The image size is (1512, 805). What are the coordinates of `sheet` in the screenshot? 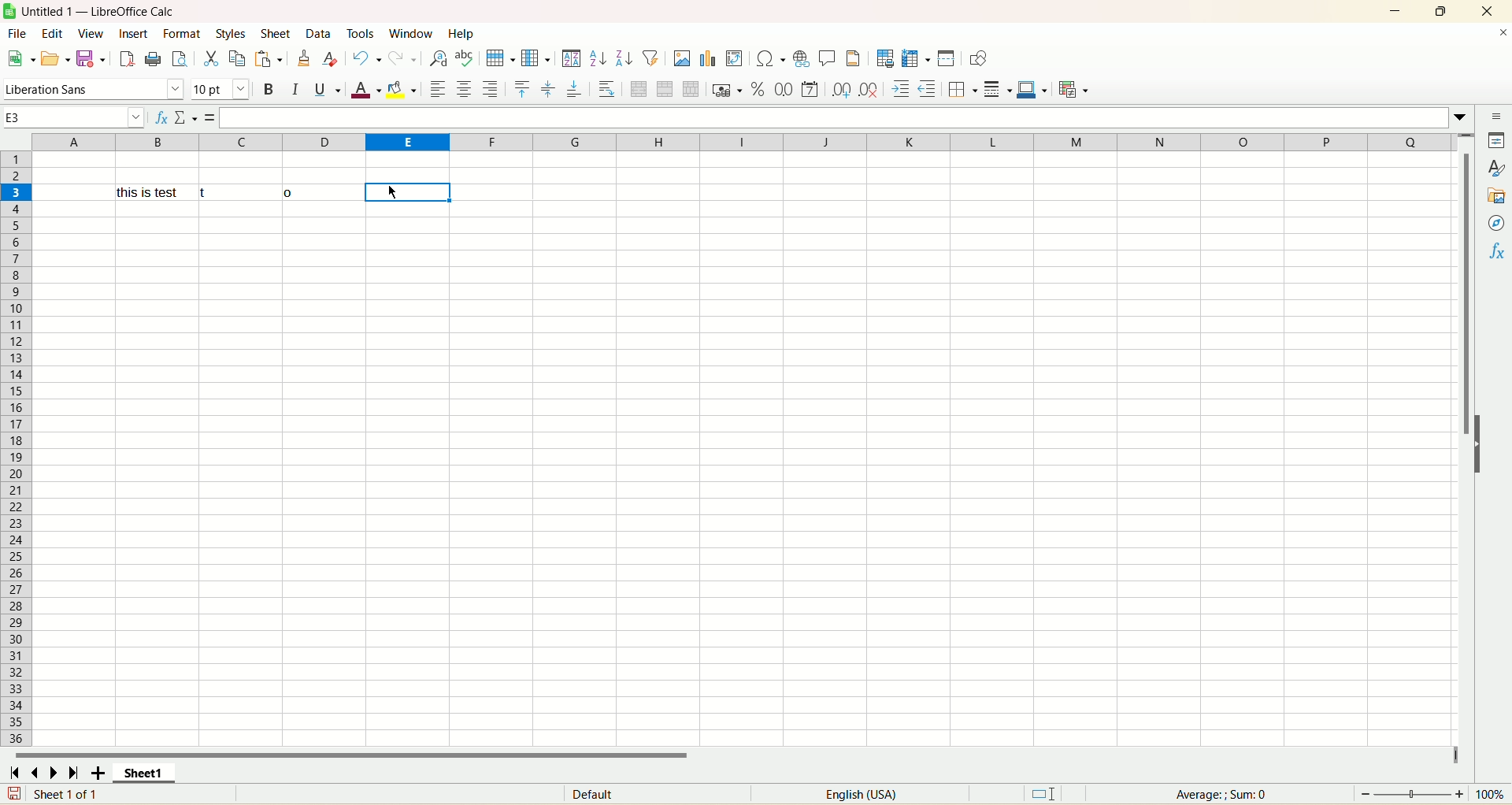 It's located at (738, 448).